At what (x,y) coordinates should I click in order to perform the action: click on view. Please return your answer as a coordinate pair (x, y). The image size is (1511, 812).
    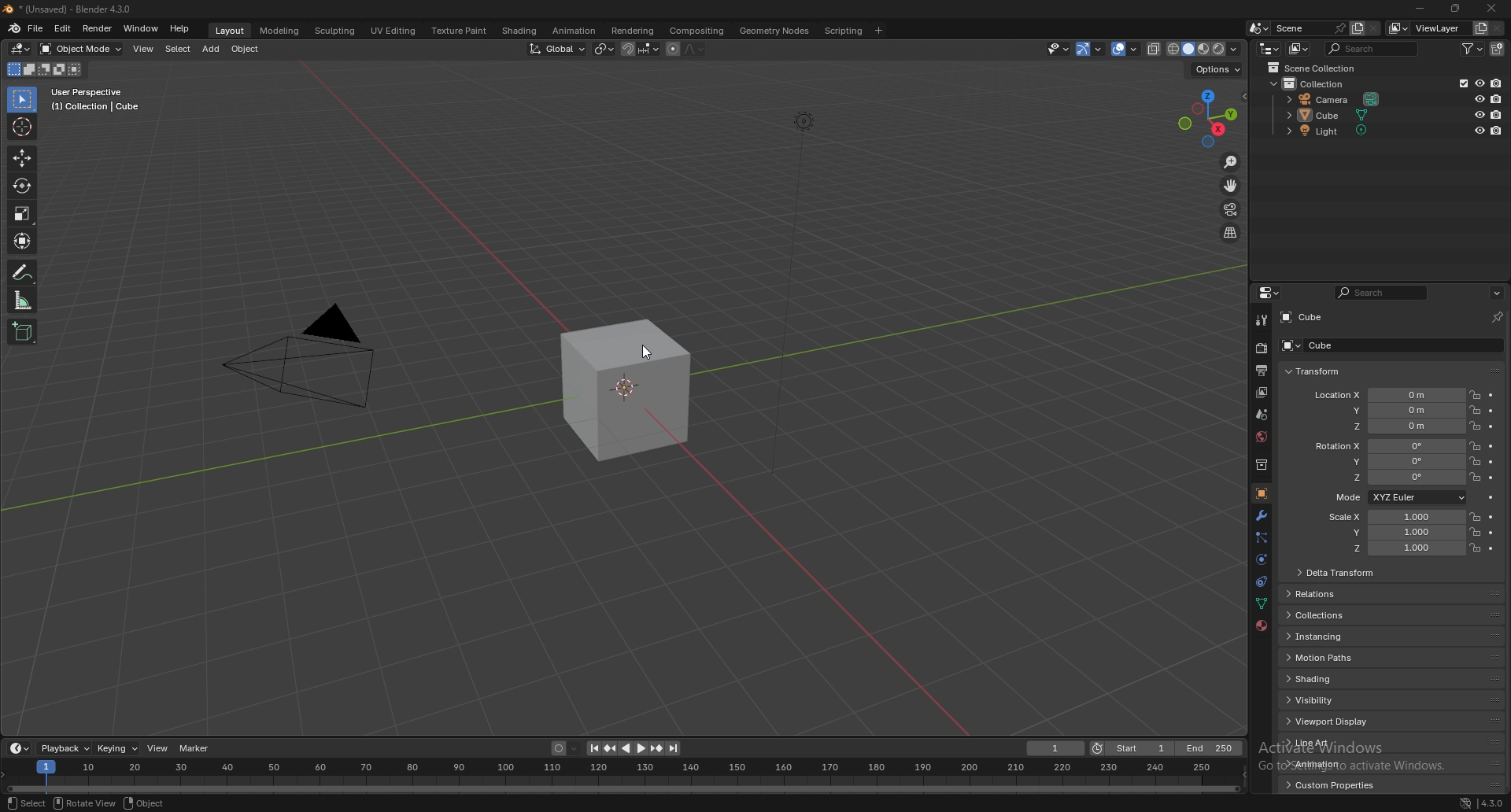
    Looking at the image, I should click on (143, 49).